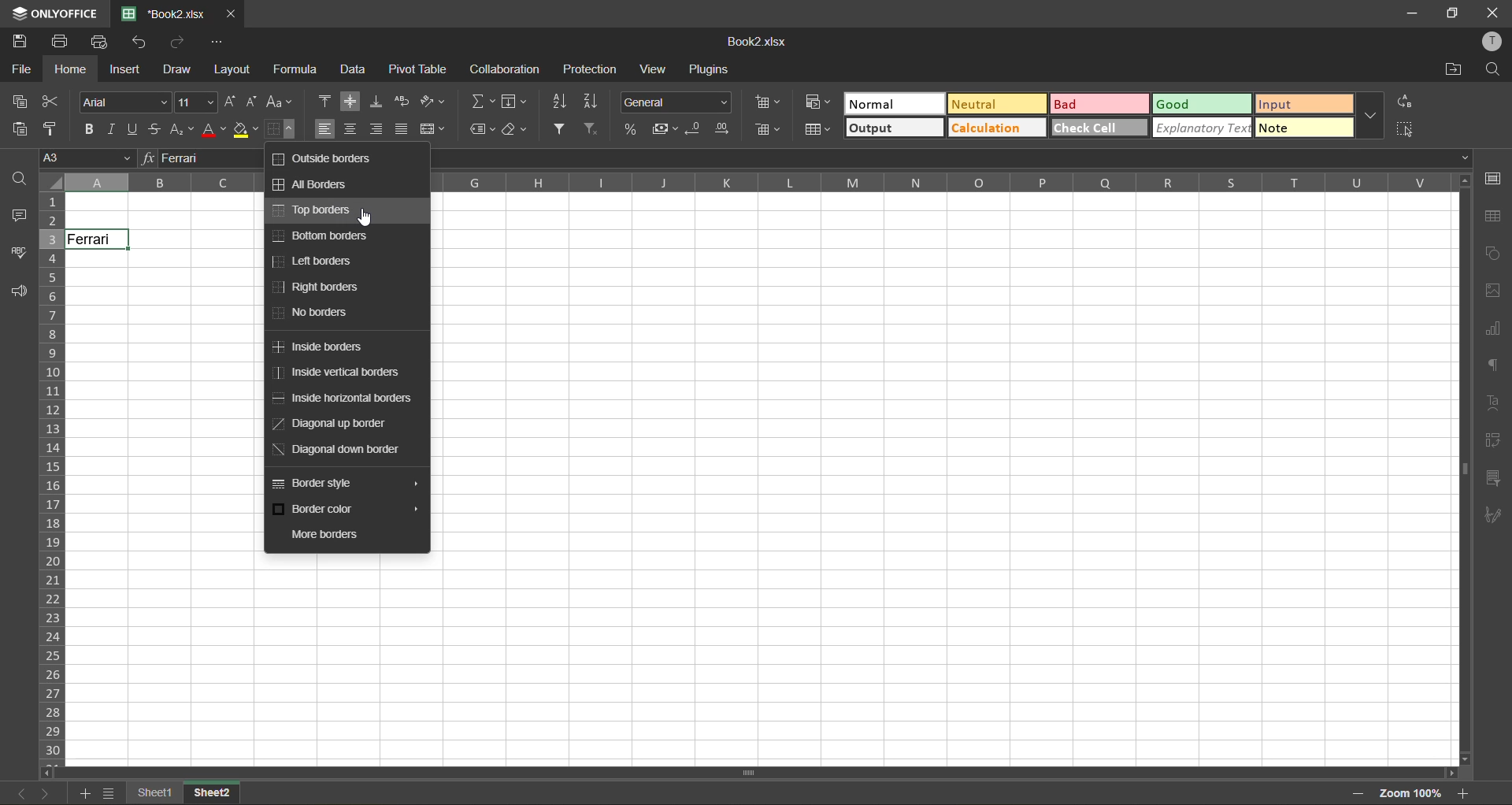  Describe the element at coordinates (91, 158) in the screenshot. I see `cell address` at that location.